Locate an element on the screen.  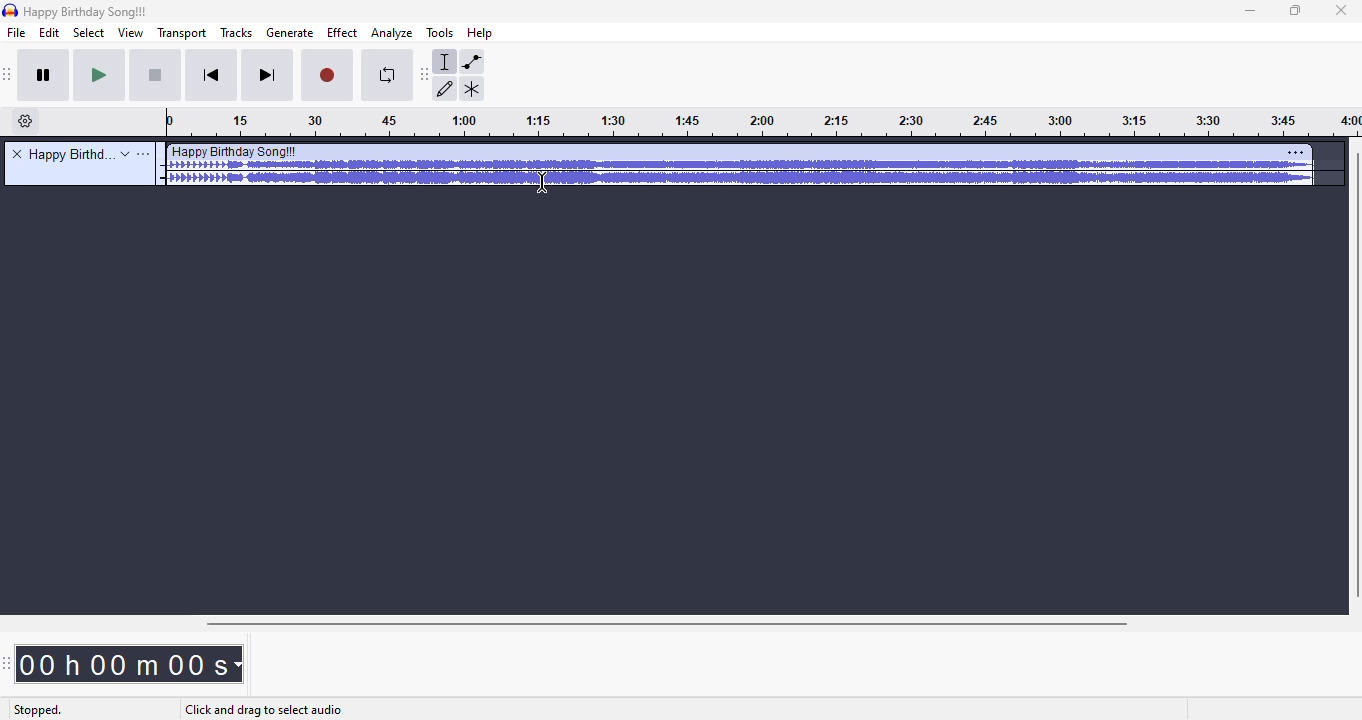
play is located at coordinates (100, 76).